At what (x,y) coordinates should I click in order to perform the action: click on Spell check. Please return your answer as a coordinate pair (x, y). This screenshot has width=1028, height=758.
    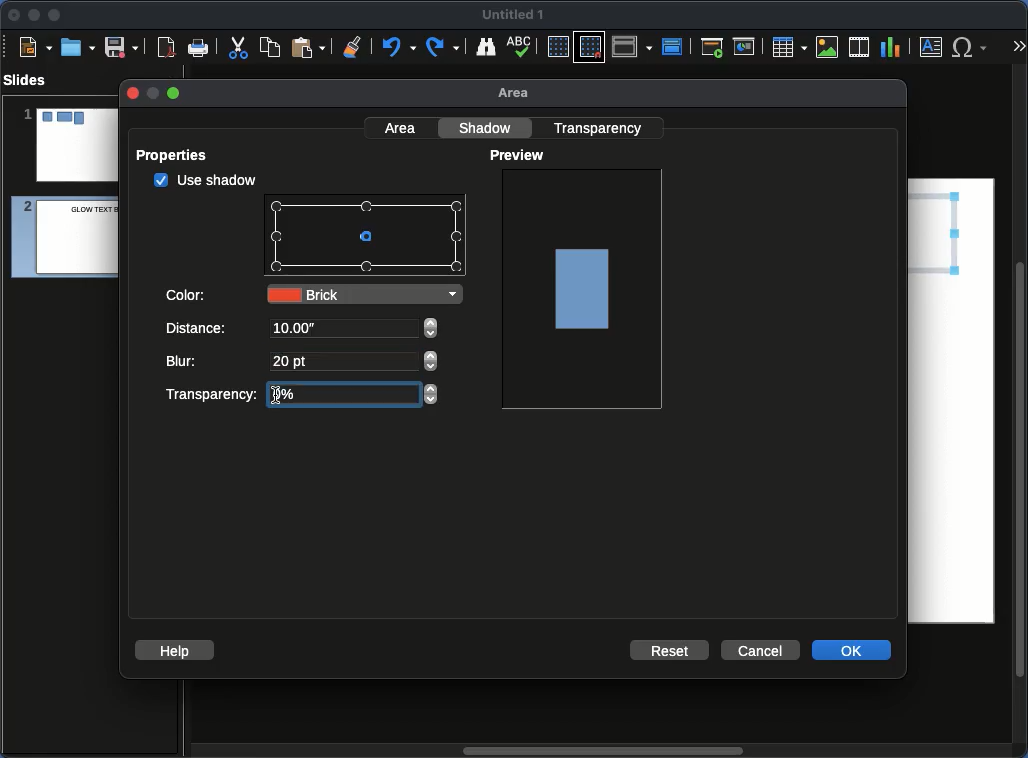
    Looking at the image, I should click on (521, 48).